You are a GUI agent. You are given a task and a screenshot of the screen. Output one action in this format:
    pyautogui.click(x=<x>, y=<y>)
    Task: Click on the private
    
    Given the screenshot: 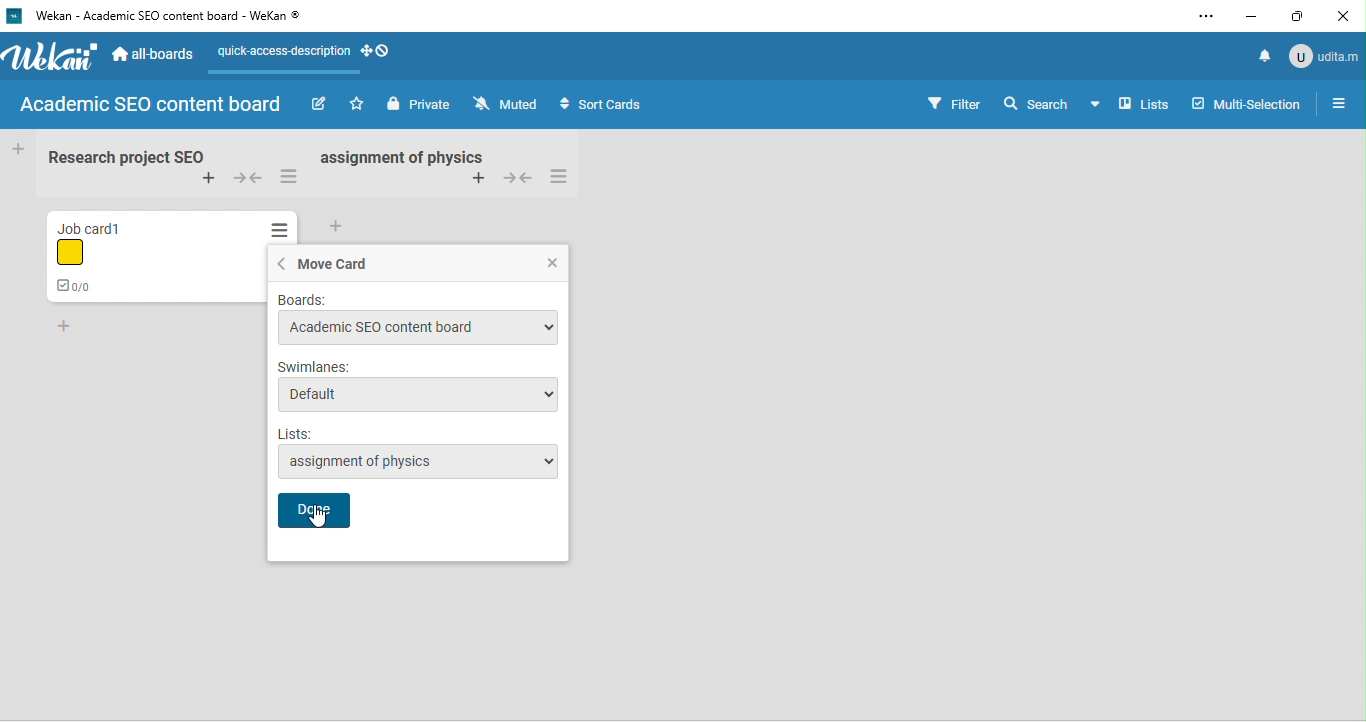 What is the action you would take?
    pyautogui.click(x=421, y=105)
    